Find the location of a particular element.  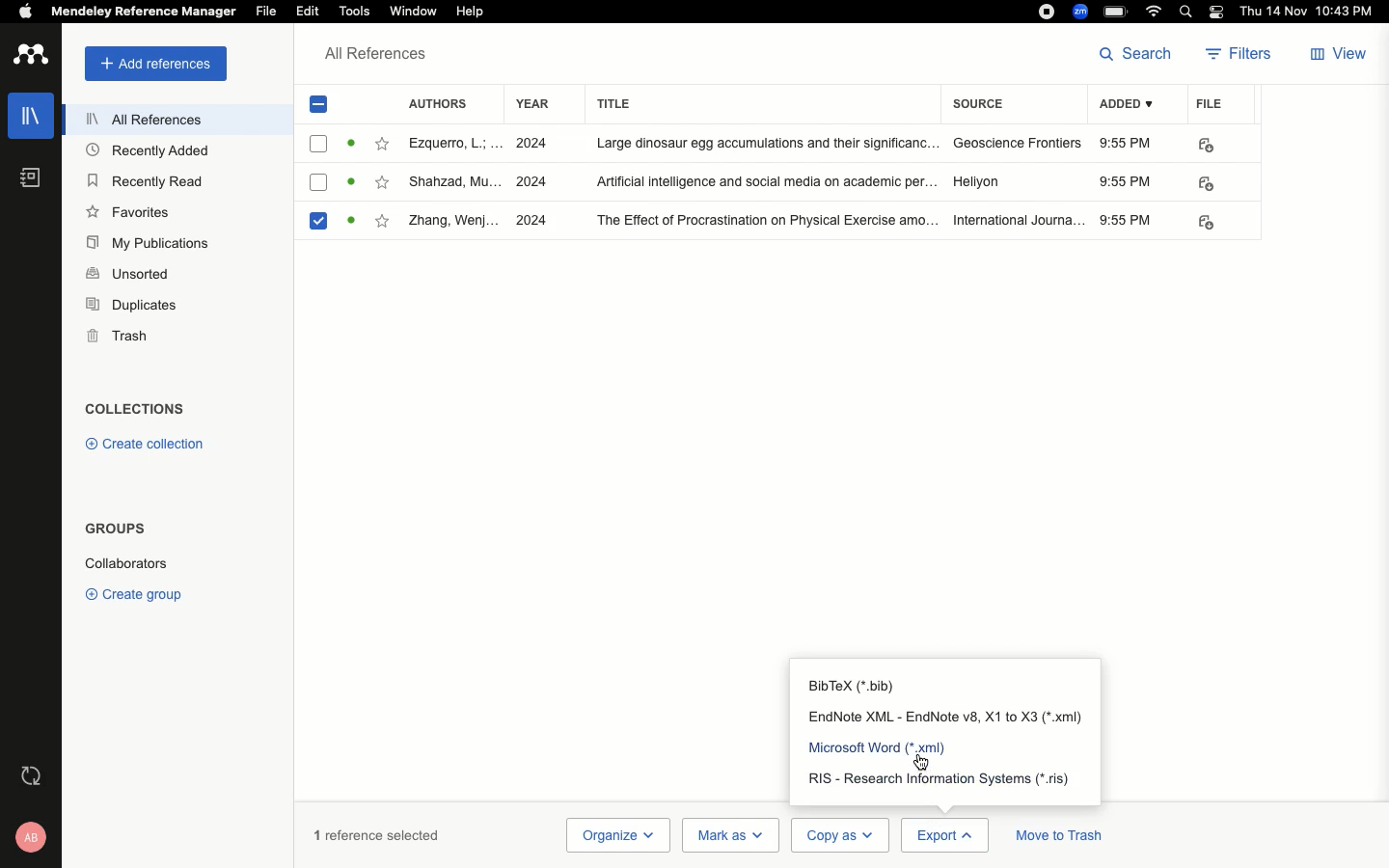

Recently read is located at coordinates (143, 179).